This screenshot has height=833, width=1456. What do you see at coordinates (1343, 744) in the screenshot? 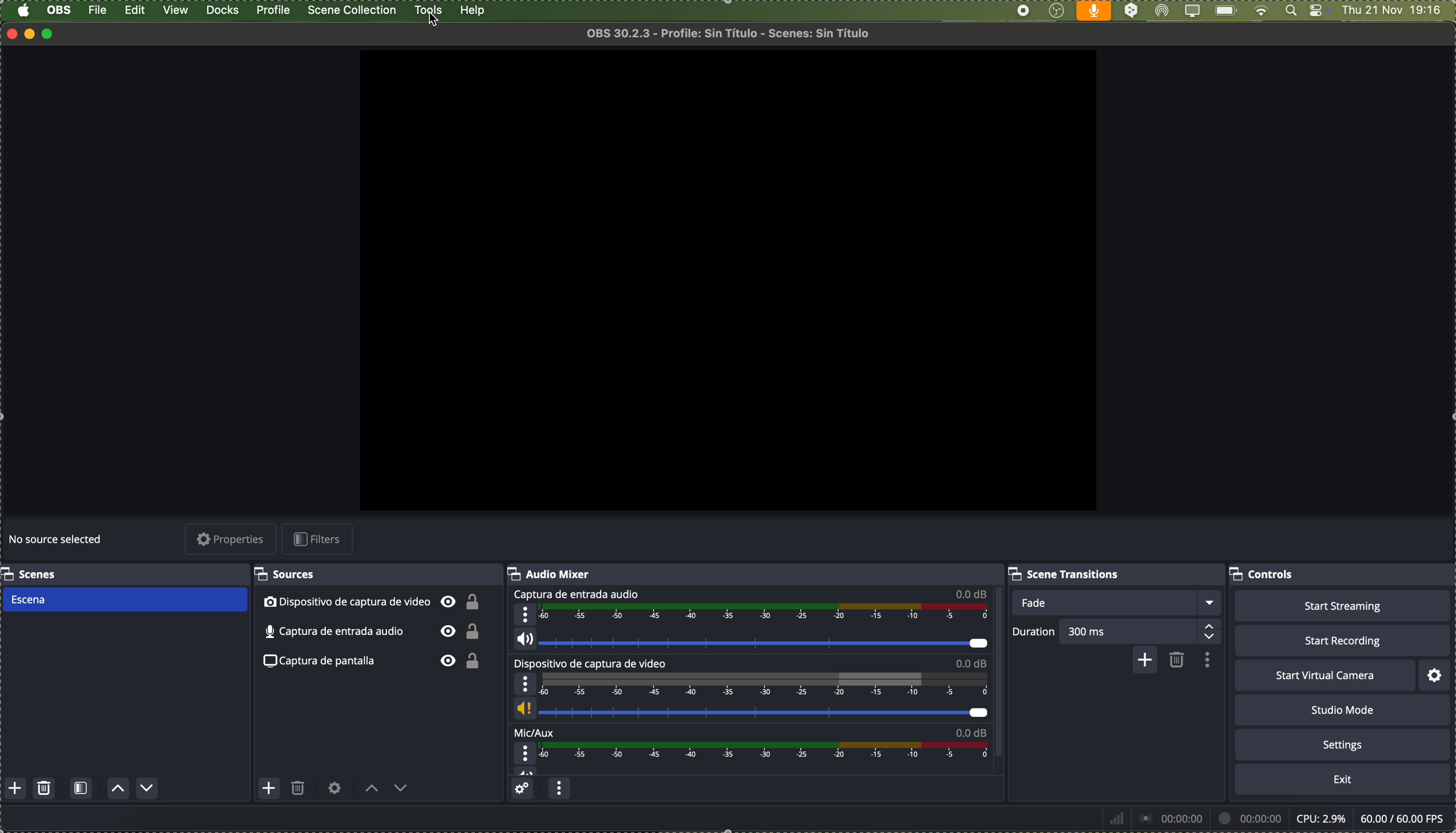
I see `settings` at bounding box center [1343, 744].